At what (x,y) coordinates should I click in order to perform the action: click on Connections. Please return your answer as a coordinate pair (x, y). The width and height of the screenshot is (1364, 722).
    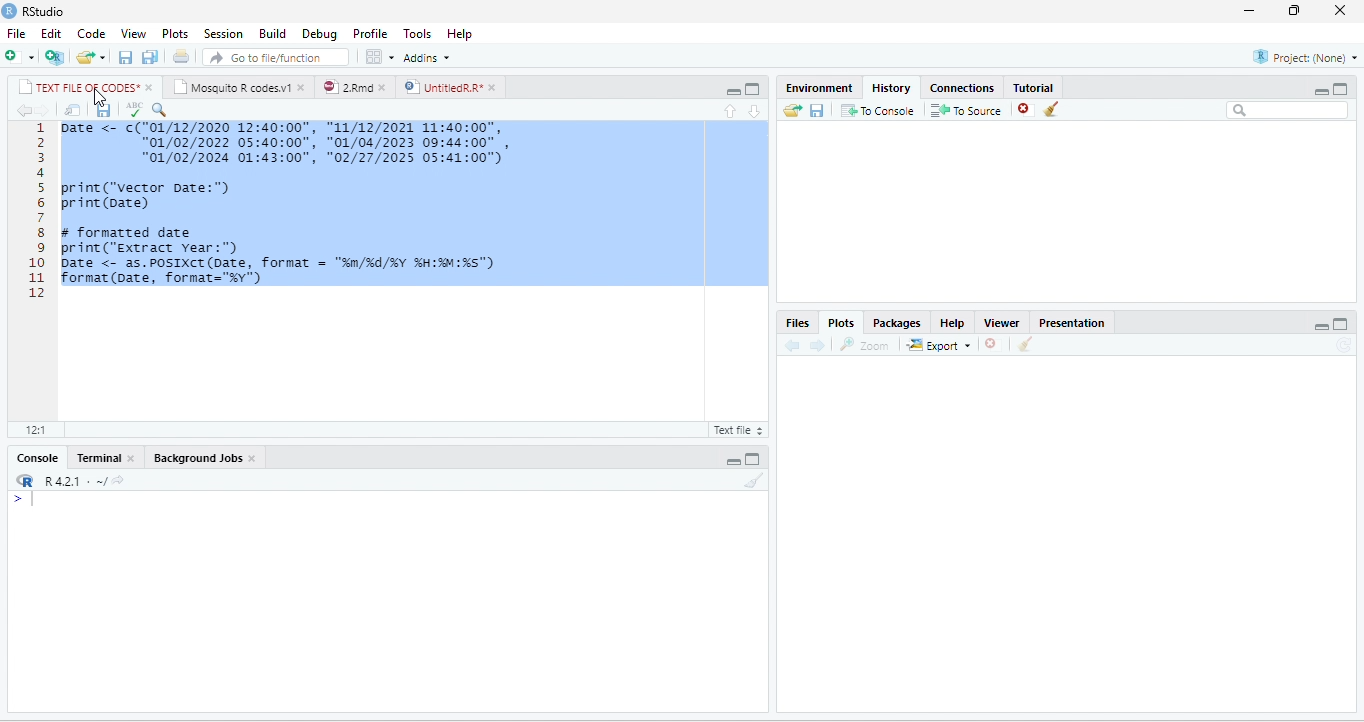
    Looking at the image, I should click on (963, 89).